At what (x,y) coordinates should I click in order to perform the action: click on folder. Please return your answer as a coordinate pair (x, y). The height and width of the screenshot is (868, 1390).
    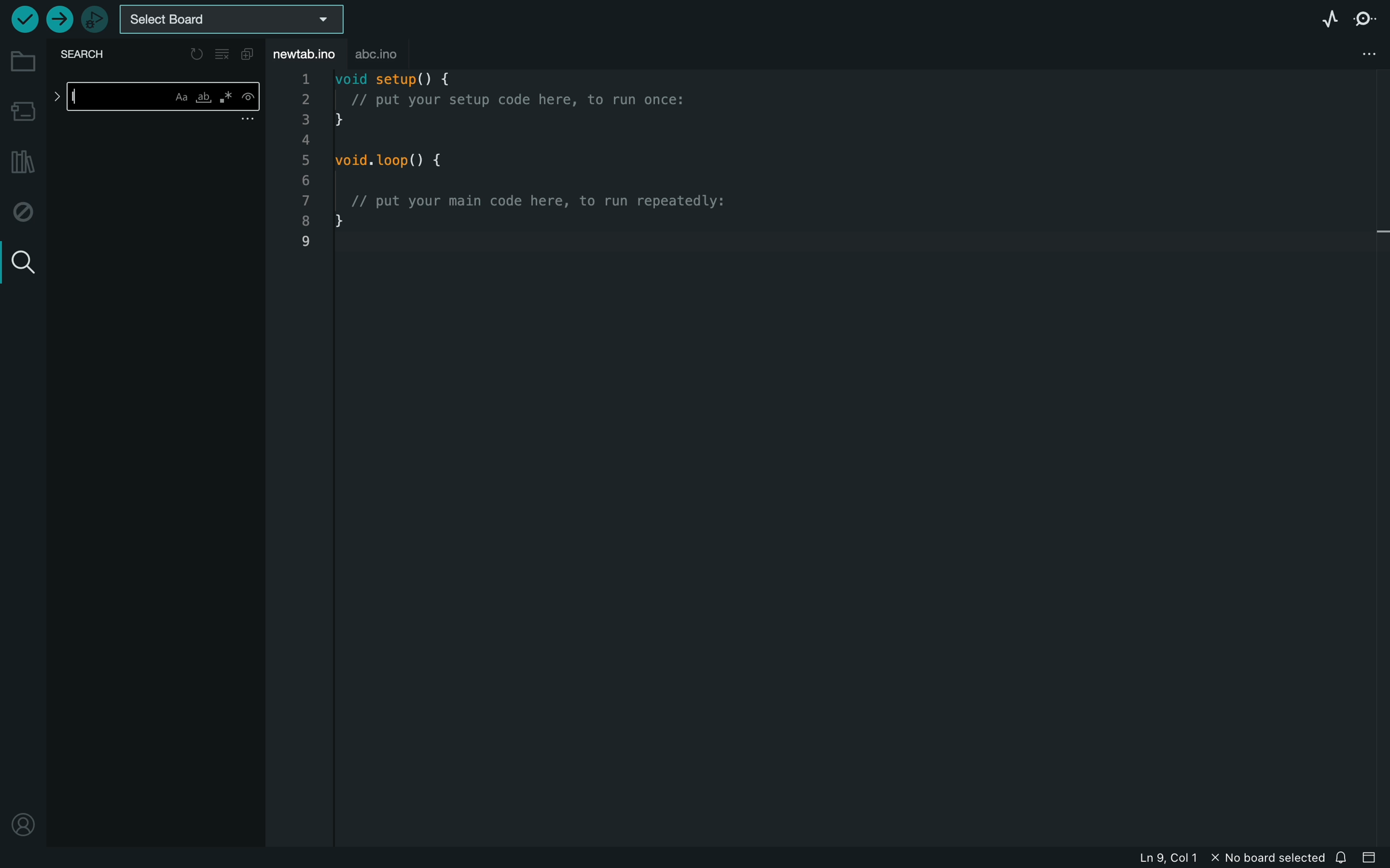
    Looking at the image, I should click on (21, 62).